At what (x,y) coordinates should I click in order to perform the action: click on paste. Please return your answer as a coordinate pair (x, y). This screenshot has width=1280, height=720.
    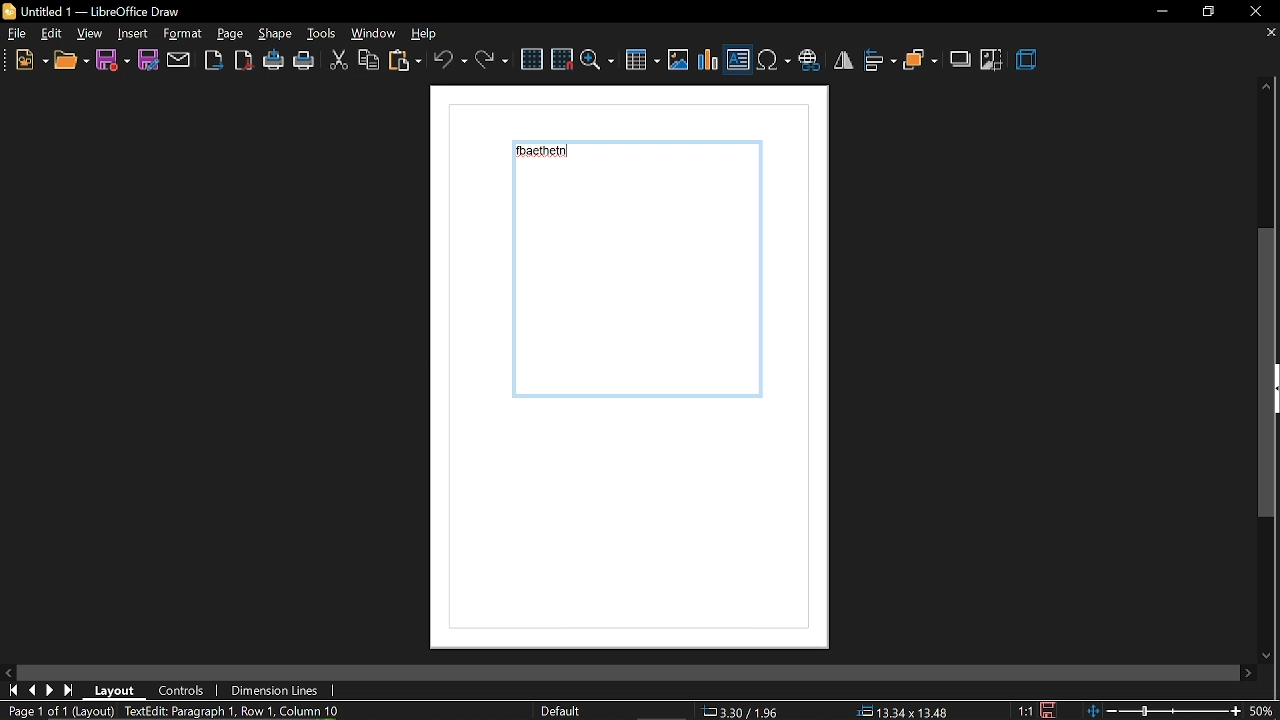
    Looking at the image, I should click on (404, 62).